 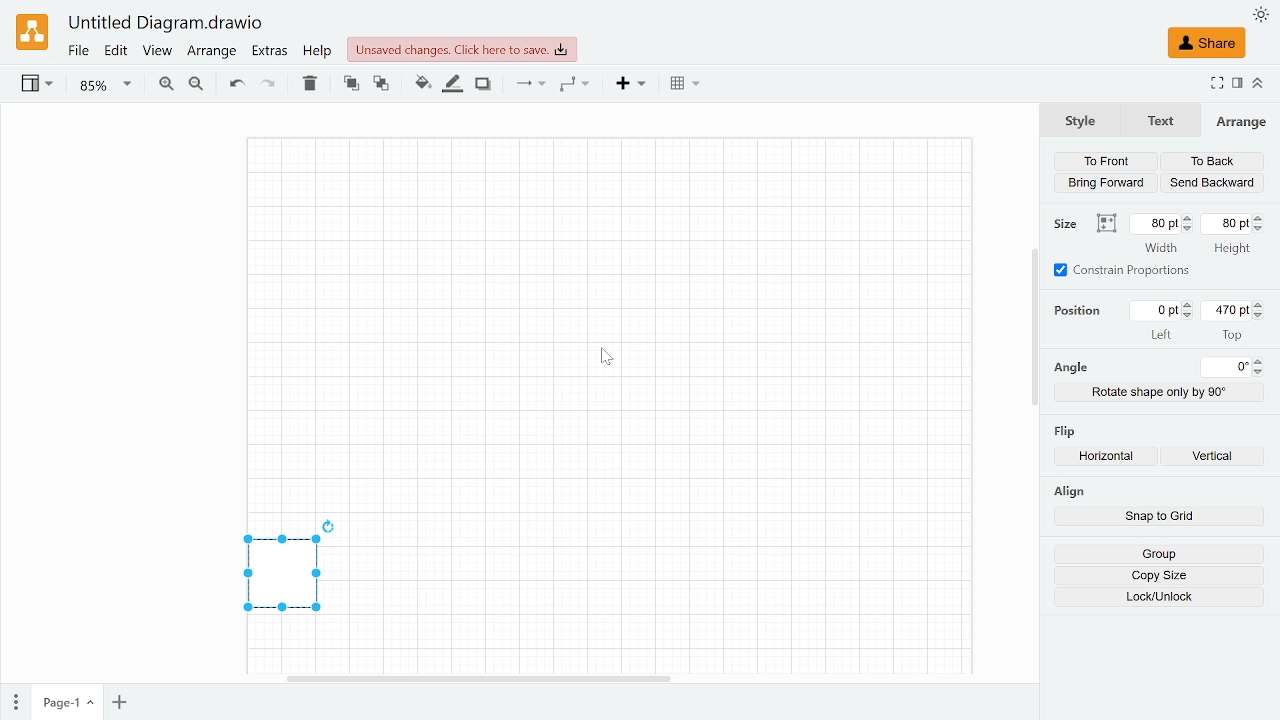 What do you see at coordinates (1068, 491) in the screenshot?
I see `align` at bounding box center [1068, 491].